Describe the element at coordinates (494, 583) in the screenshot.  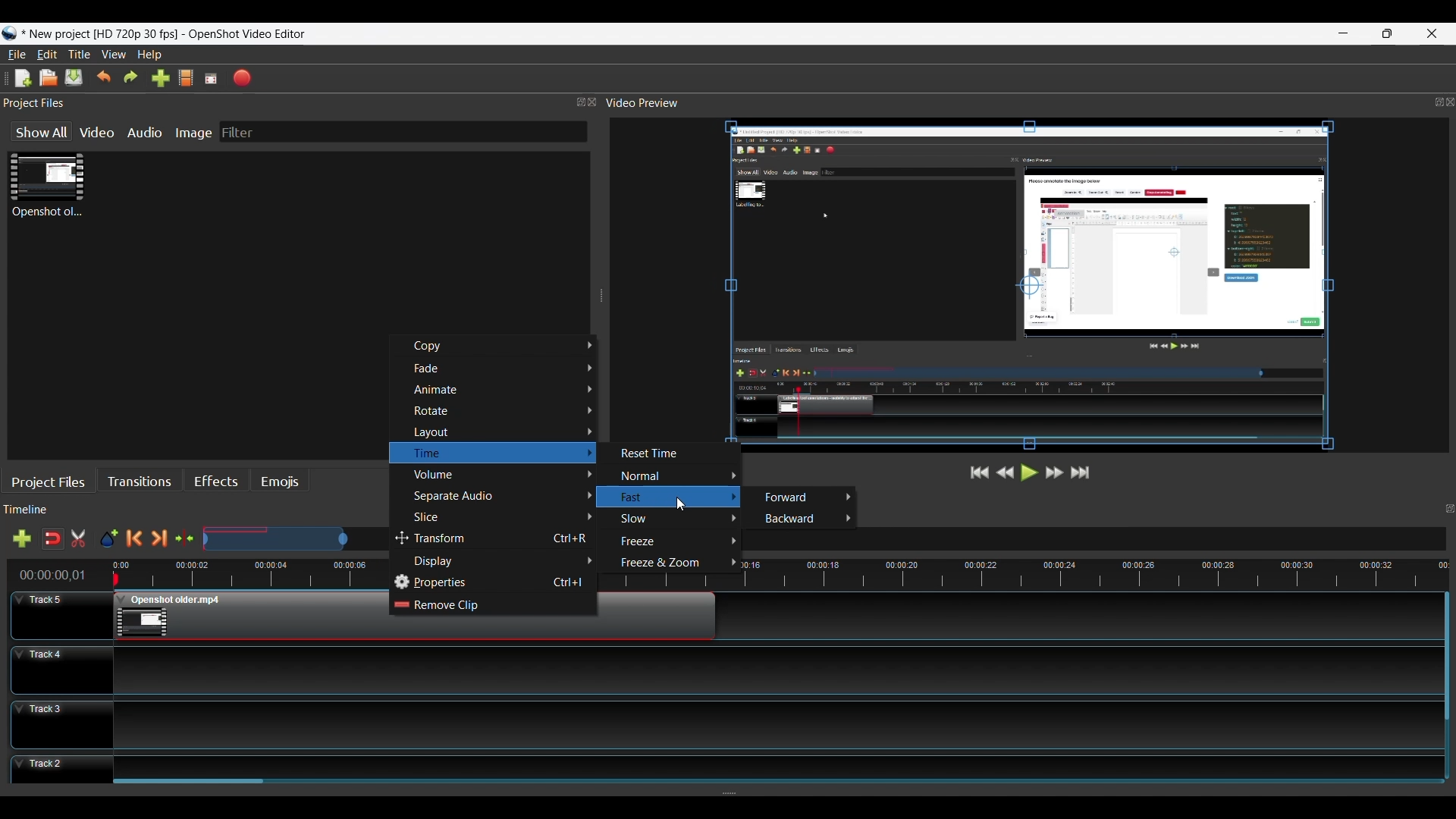
I see `Properties` at that location.